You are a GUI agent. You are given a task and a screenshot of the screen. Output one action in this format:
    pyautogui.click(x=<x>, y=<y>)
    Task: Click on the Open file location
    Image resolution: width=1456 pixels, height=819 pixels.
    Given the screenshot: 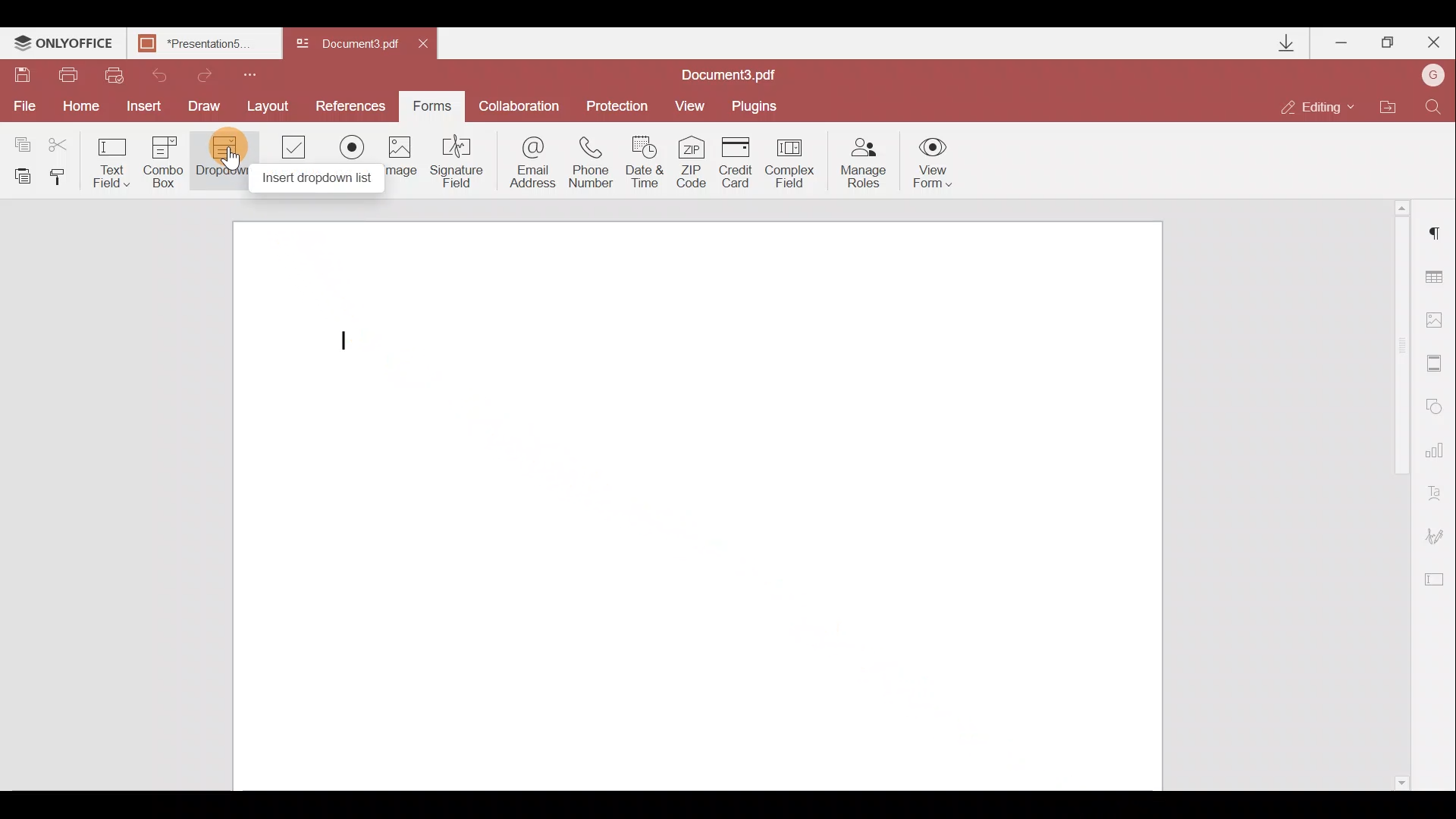 What is the action you would take?
    pyautogui.click(x=1387, y=108)
    